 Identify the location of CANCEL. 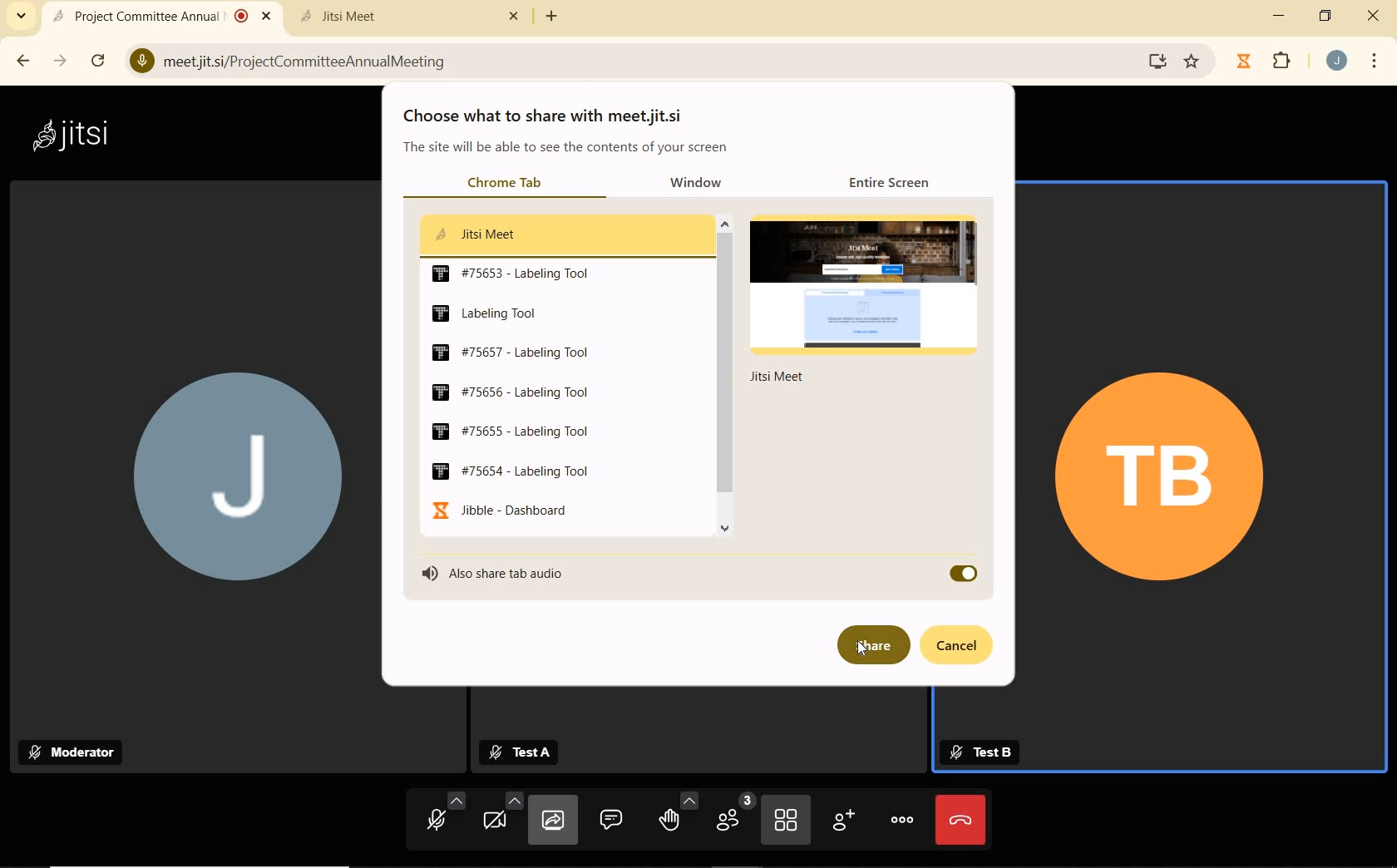
(964, 646).